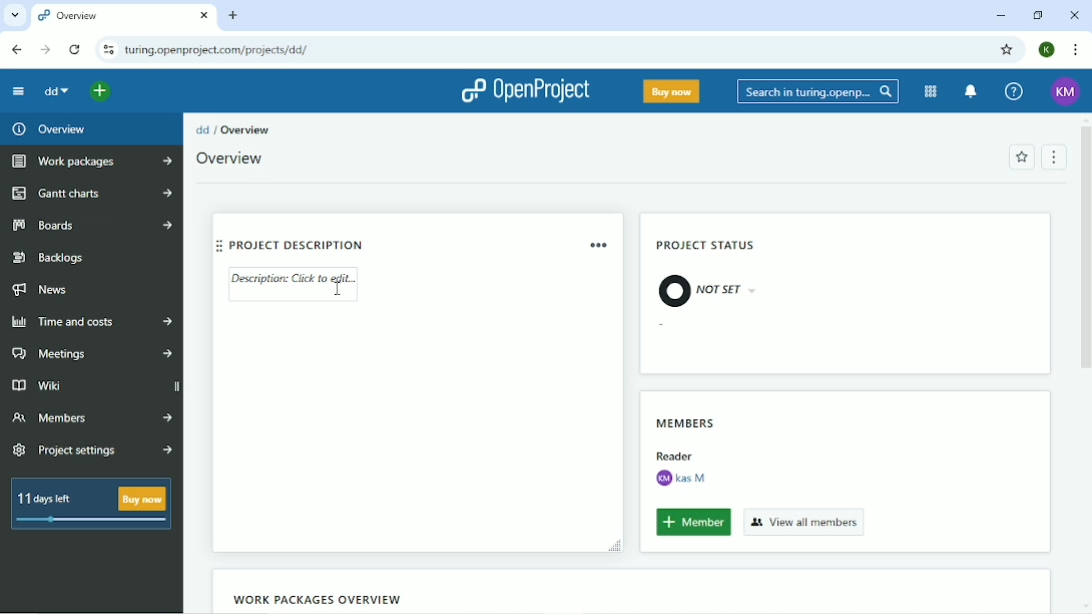 This screenshot has height=614, width=1092. Describe the element at coordinates (526, 92) in the screenshot. I see `OpenProject` at that location.